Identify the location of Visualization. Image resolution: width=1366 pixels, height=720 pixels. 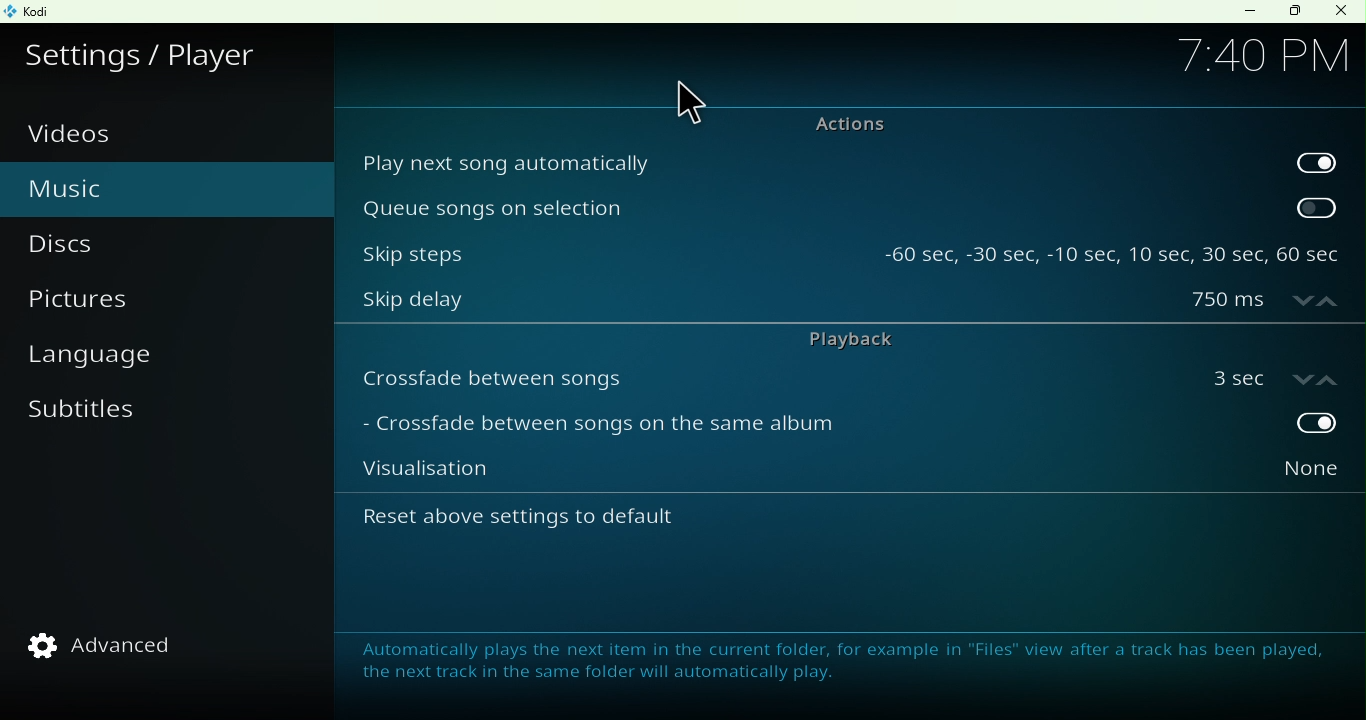
(762, 475).